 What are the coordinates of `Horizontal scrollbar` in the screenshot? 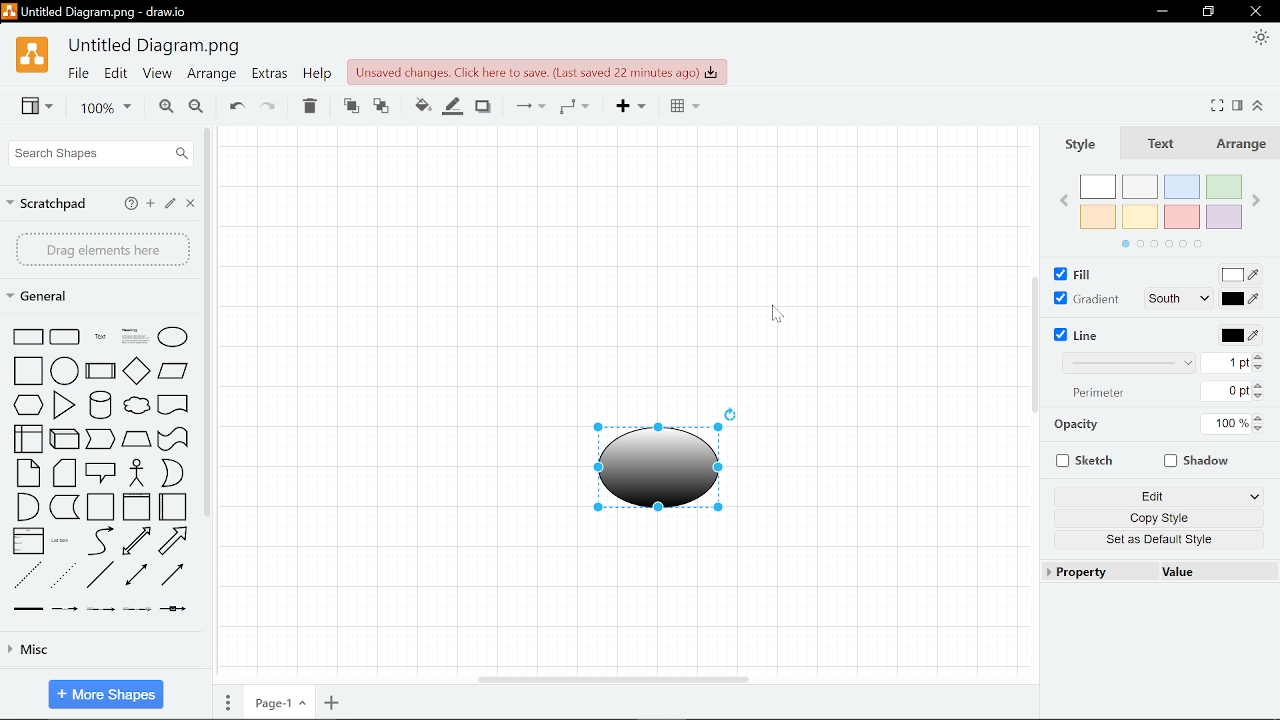 It's located at (616, 680).